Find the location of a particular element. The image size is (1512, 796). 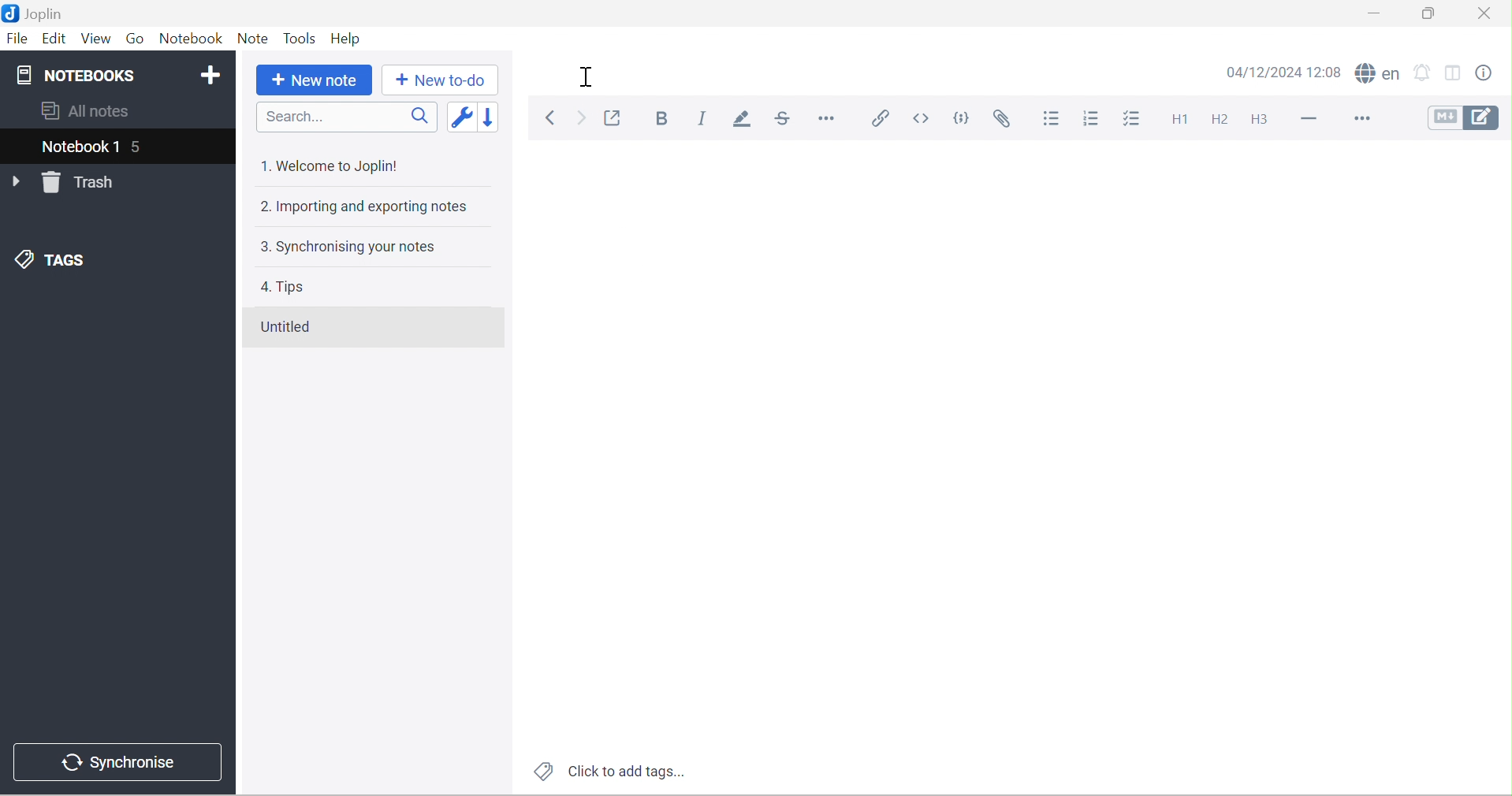

Attach file is located at coordinates (1011, 119).